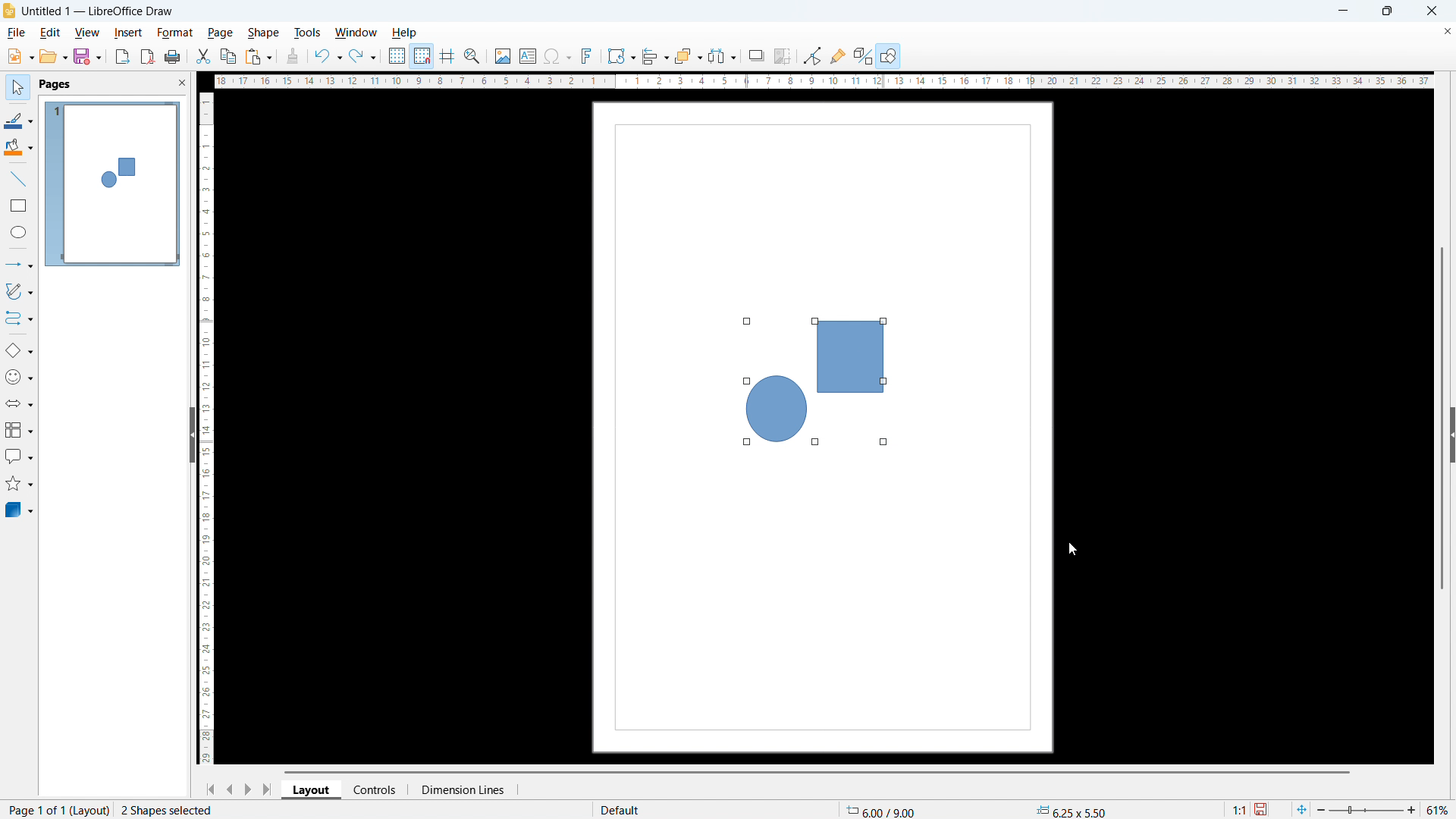 Image resolution: width=1456 pixels, height=819 pixels. Describe the element at coordinates (397, 56) in the screenshot. I see `show grid` at that location.